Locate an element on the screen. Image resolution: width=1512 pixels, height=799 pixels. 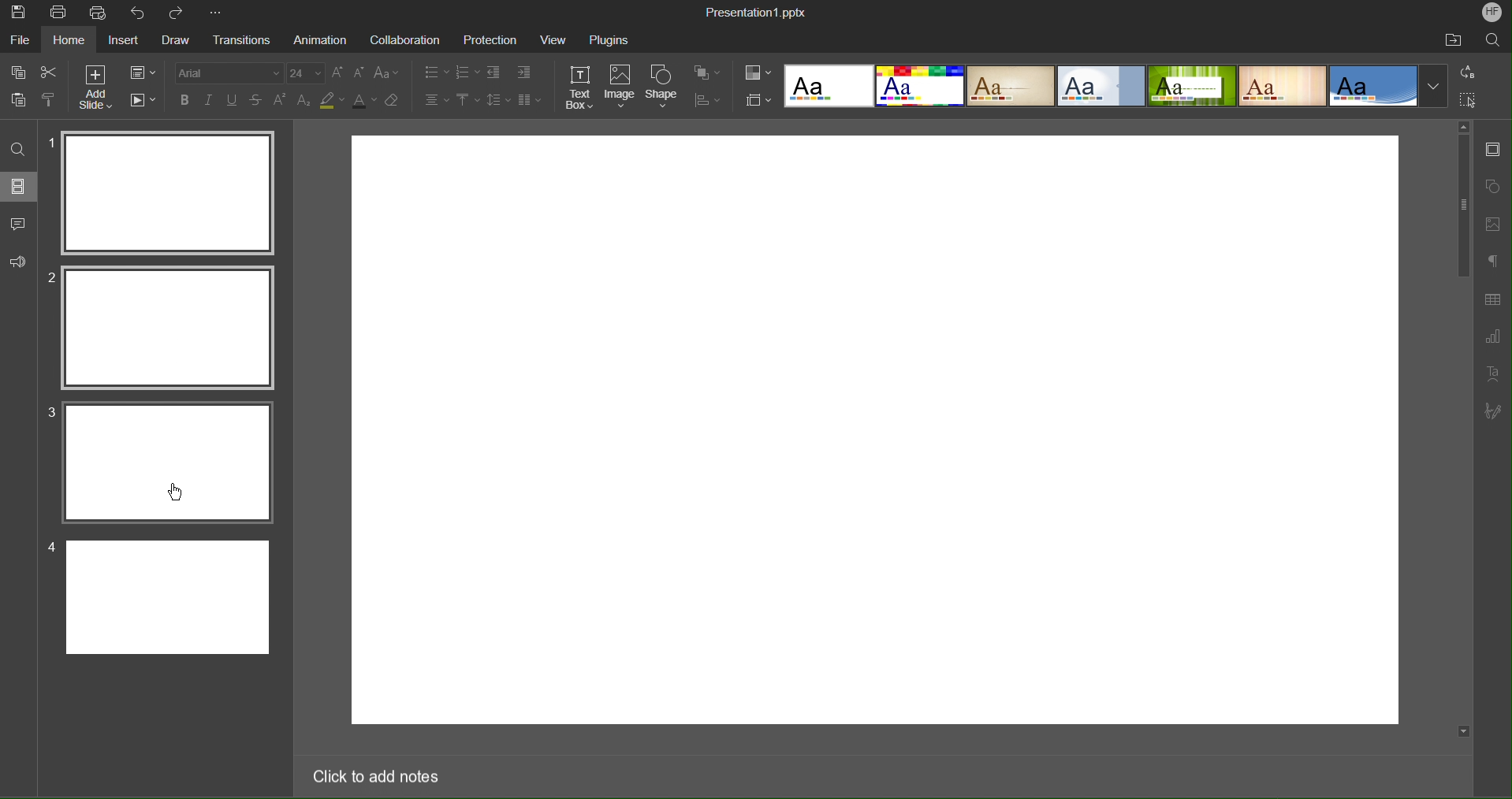
Image is located at coordinates (620, 88).